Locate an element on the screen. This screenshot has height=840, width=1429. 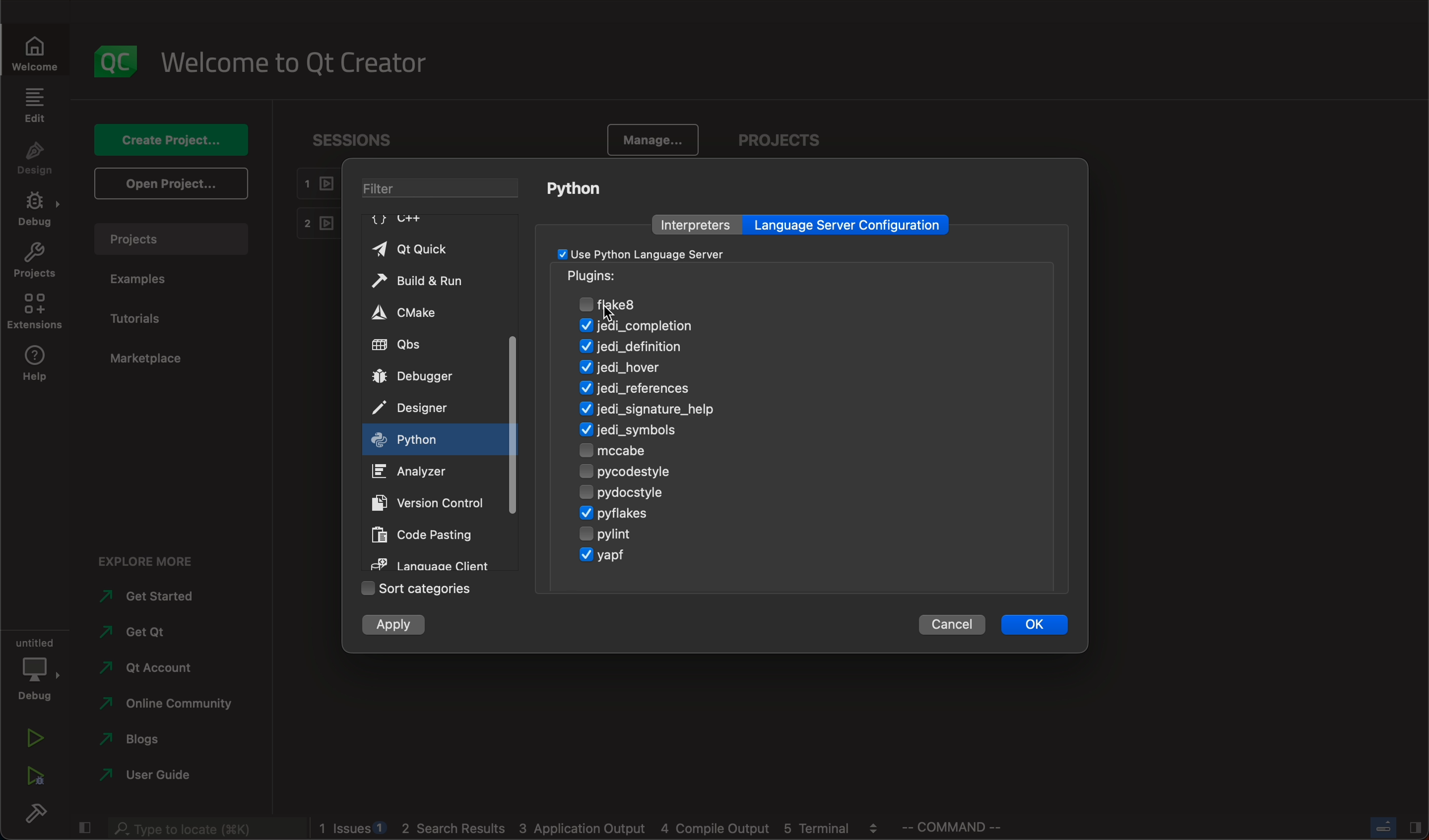
extenstions is located at coordinates (33, 311).